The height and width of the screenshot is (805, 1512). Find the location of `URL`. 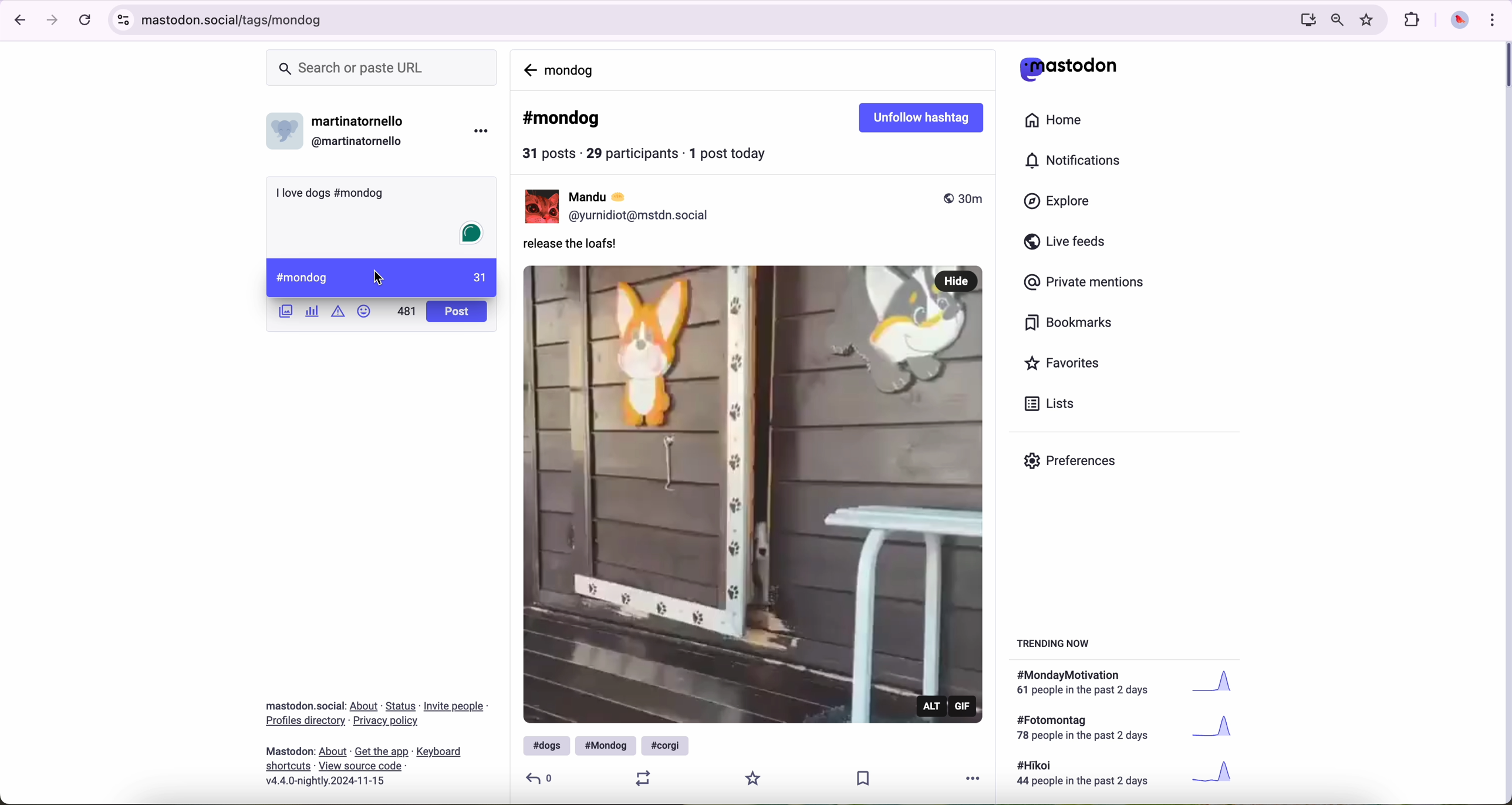

URL is located at coordinates (696, 22).